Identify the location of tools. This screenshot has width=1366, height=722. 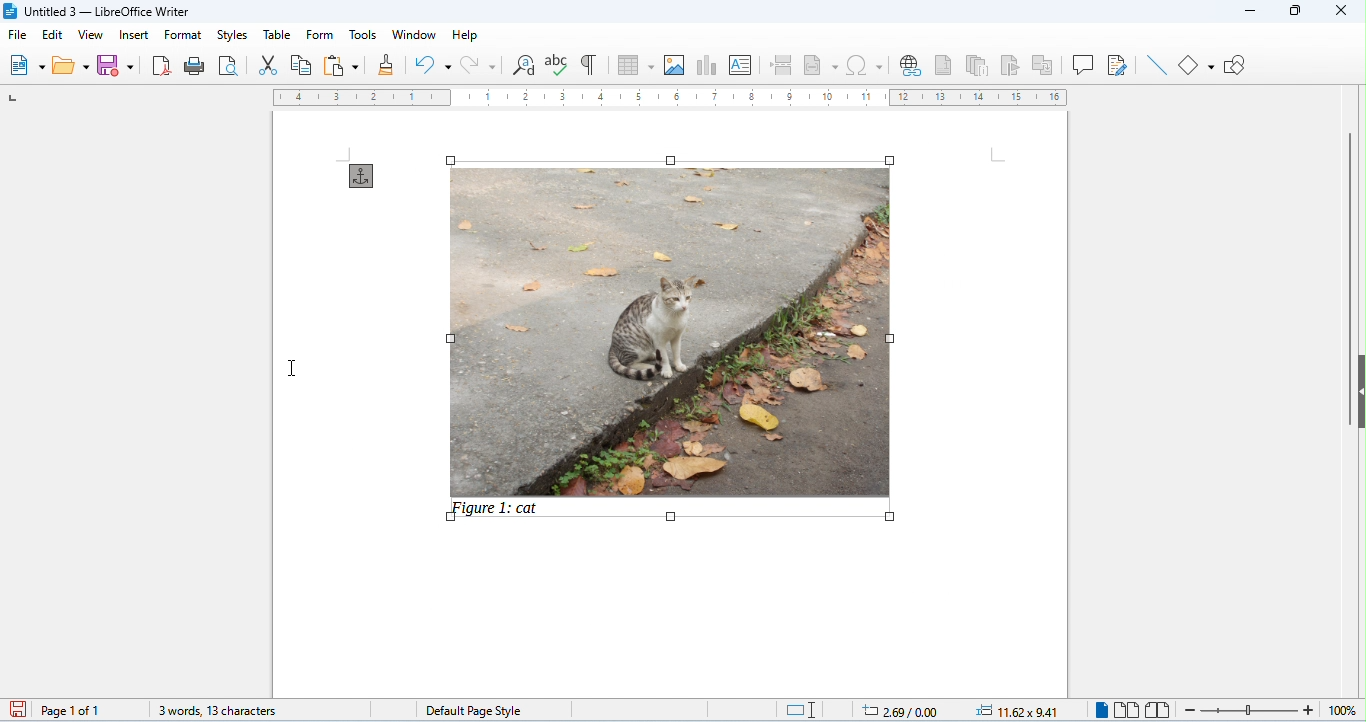
(364, 33).